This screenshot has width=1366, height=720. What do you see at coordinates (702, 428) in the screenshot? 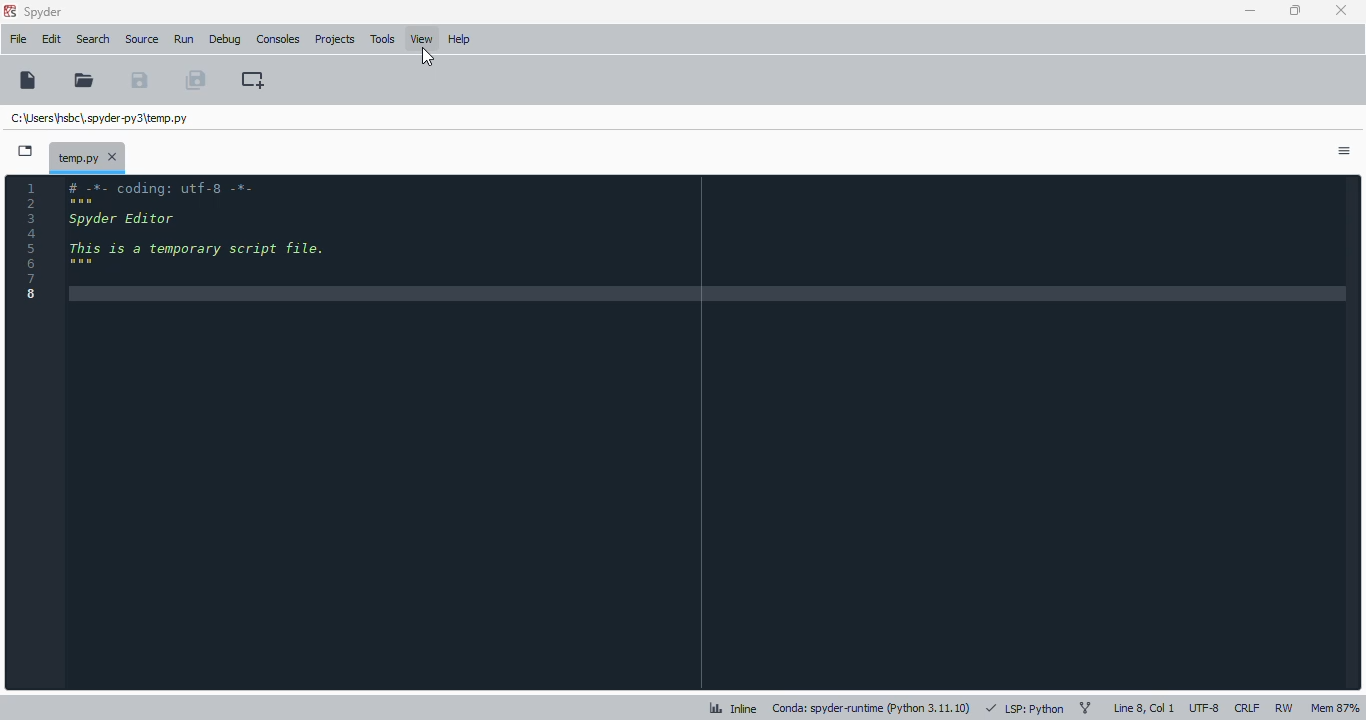
I see `editor` at bounding box center [702, 428].